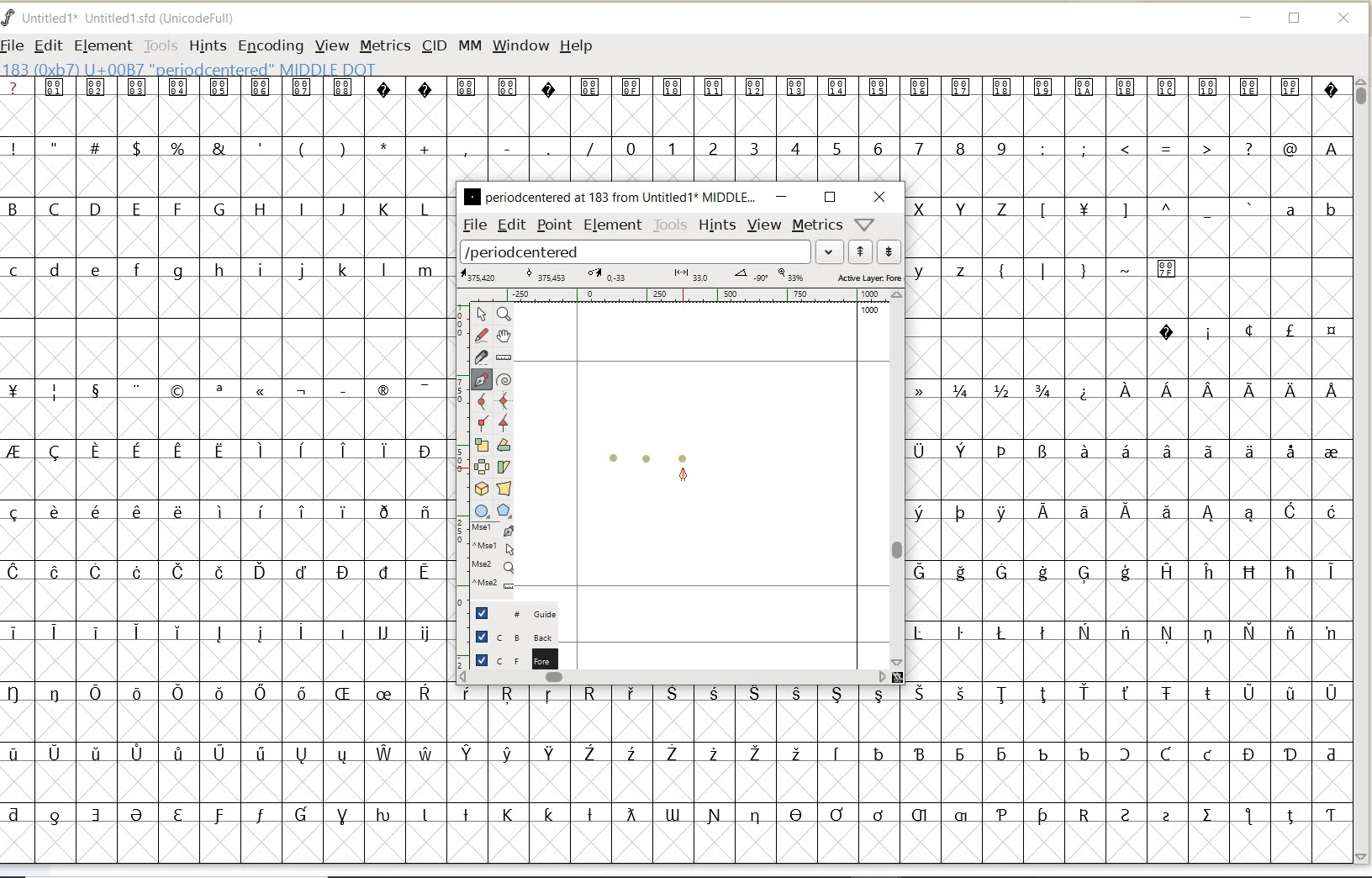 This screenshot has height=878, width=1372. I want to click on cursor events on the opened outline window, so click(493, 557).